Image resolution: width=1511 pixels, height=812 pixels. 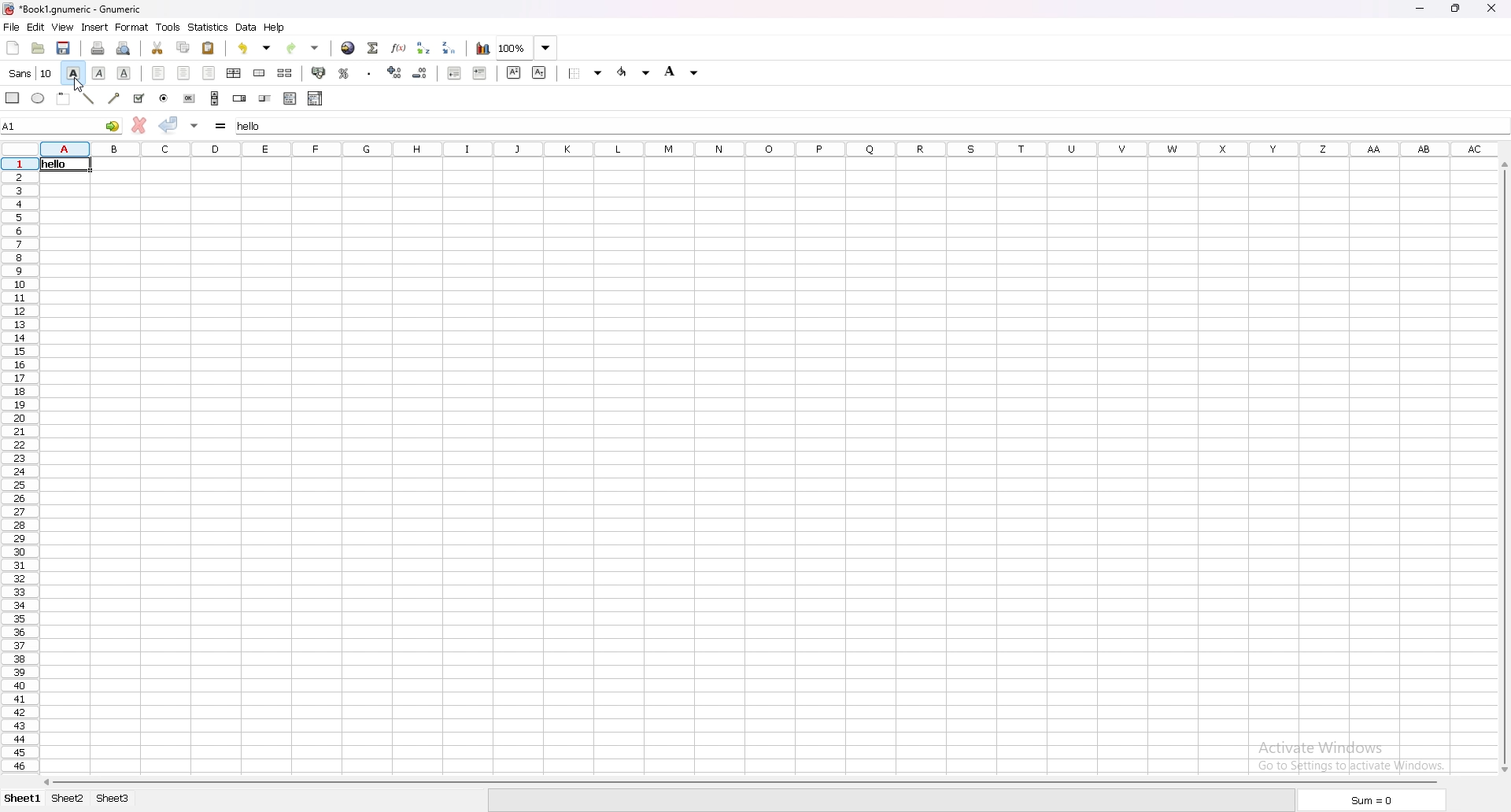 I want to click on merge cell, so click(x=260, y=72).